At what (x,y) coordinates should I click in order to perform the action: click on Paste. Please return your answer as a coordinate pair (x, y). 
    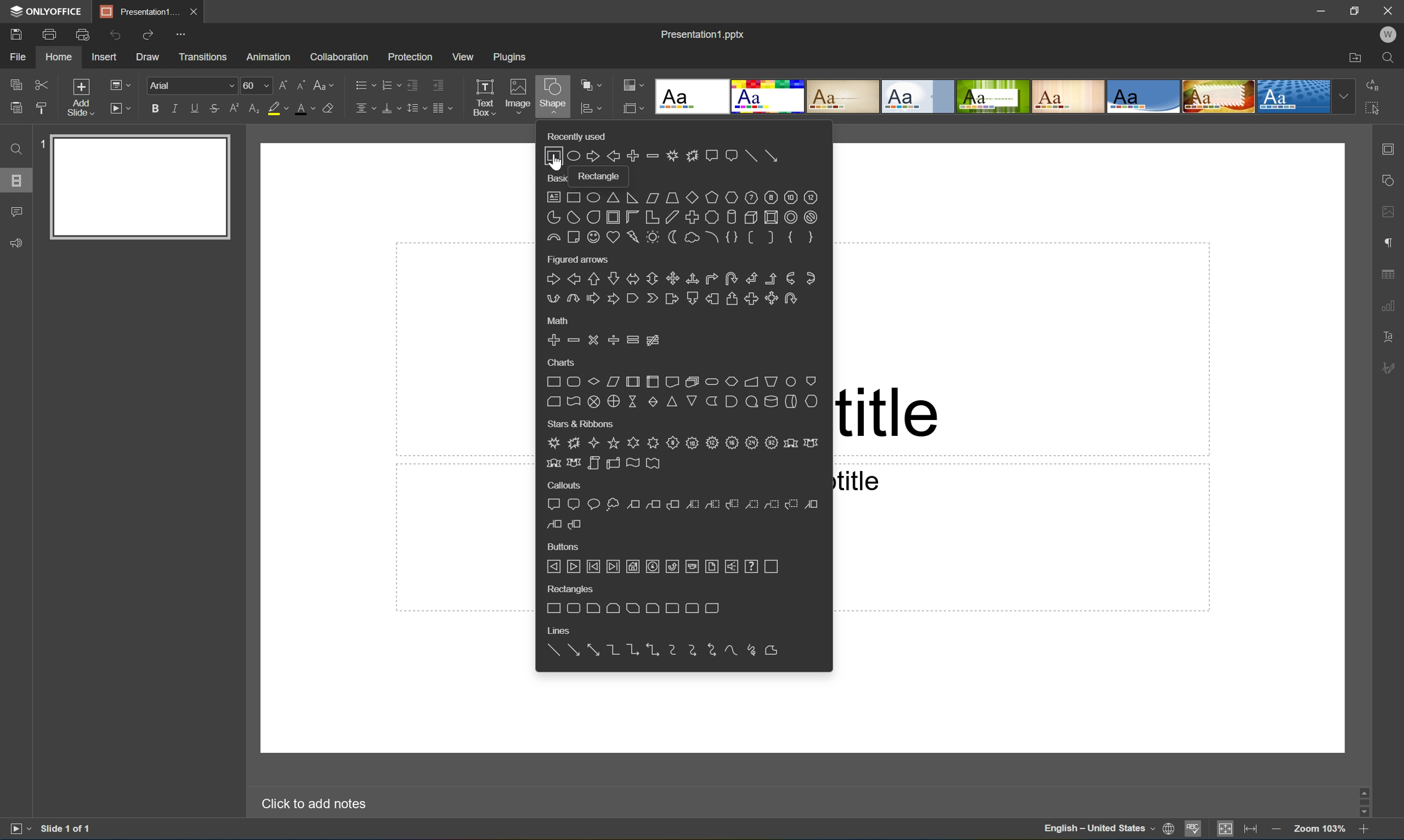
    Looking at the image, I should click on (16, 109).